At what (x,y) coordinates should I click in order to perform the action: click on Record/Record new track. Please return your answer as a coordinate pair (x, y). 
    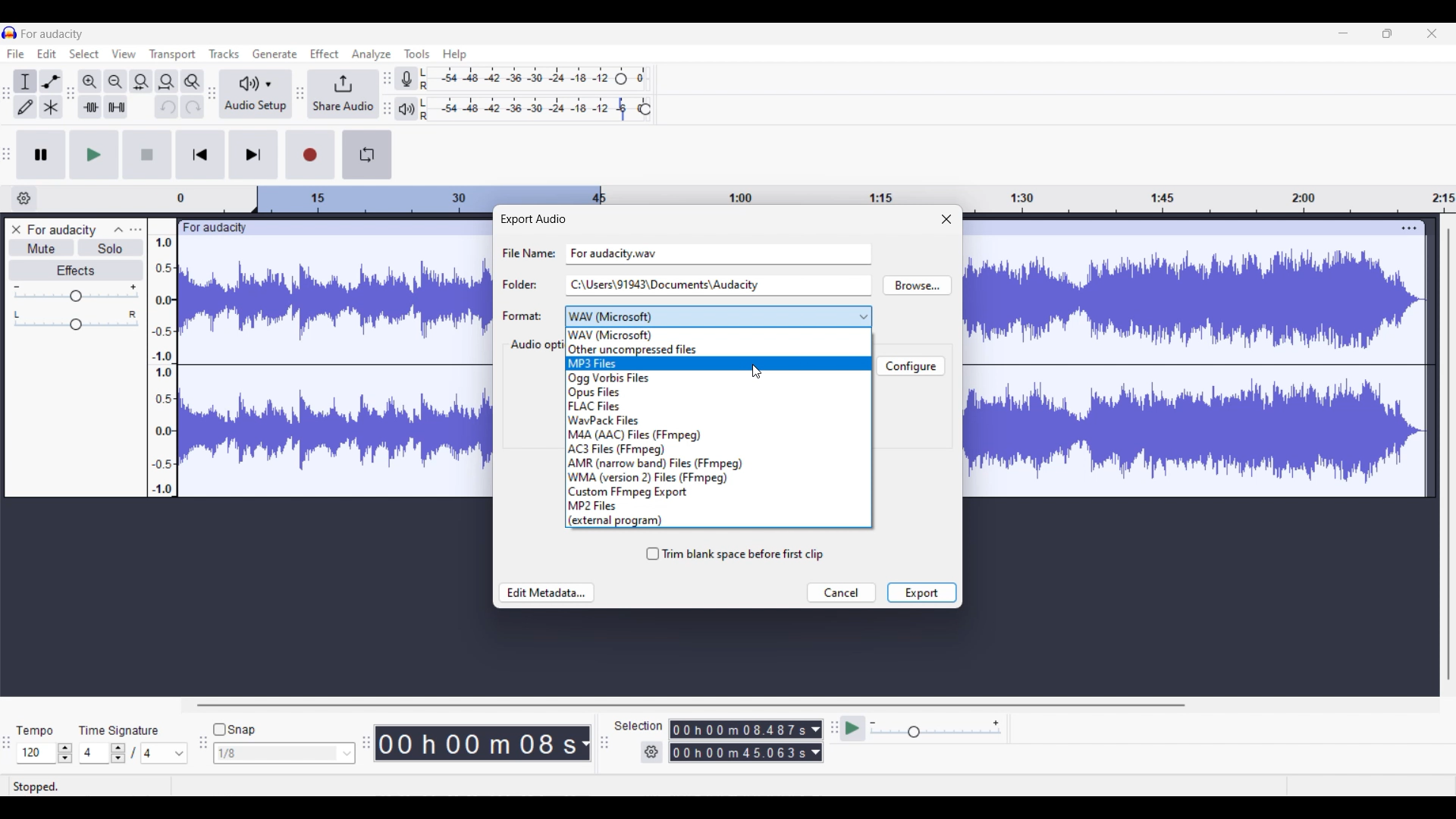
    Looking at the image, I should click on (311, 155).